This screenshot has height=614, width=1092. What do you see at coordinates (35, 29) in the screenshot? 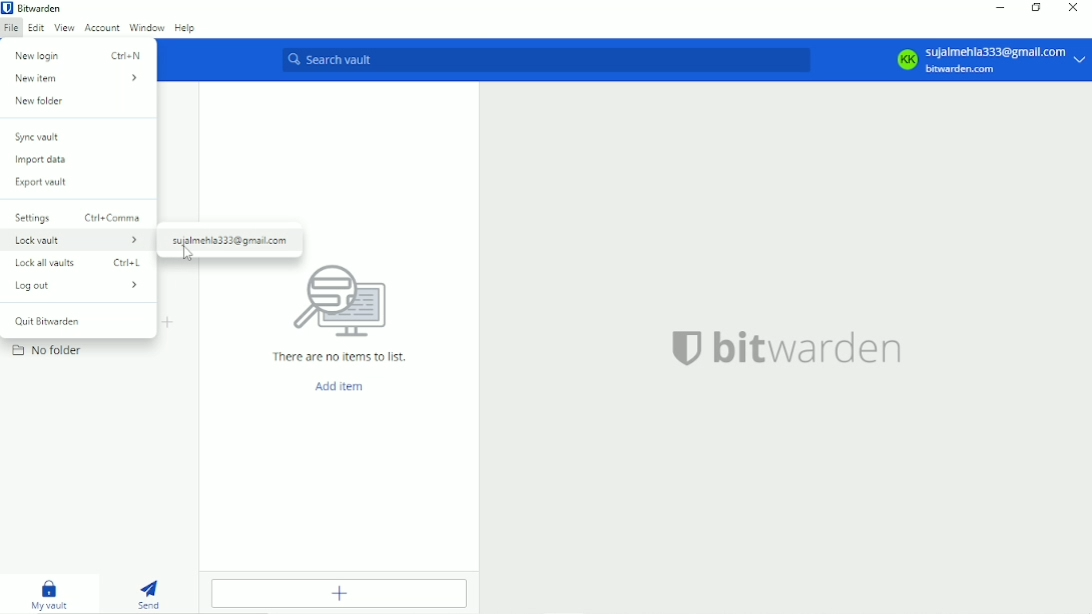
I see `Edit` at bounding box center [35, 29].